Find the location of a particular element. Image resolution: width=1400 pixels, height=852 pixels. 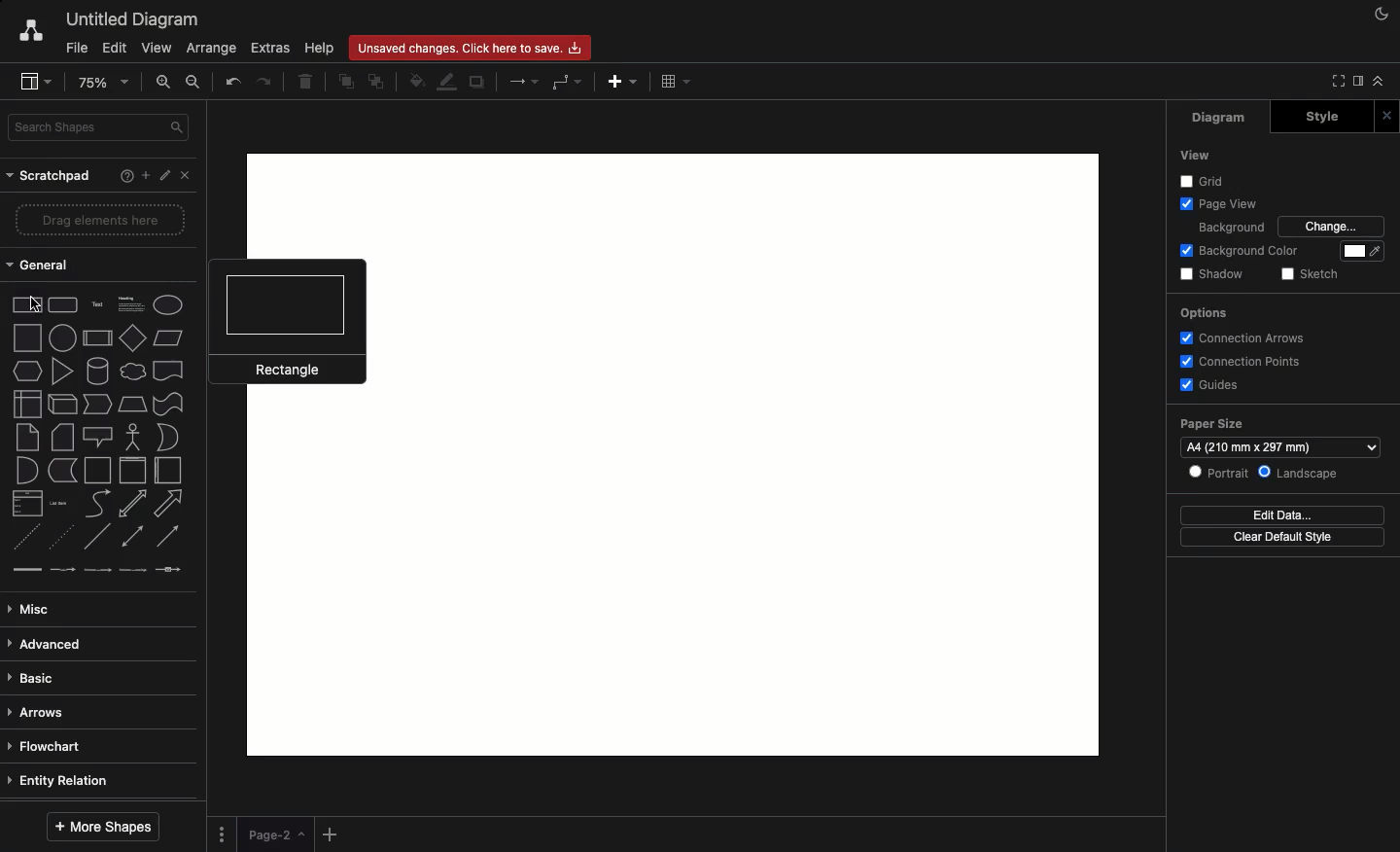

Page view is located at coordinates (1217, 204).